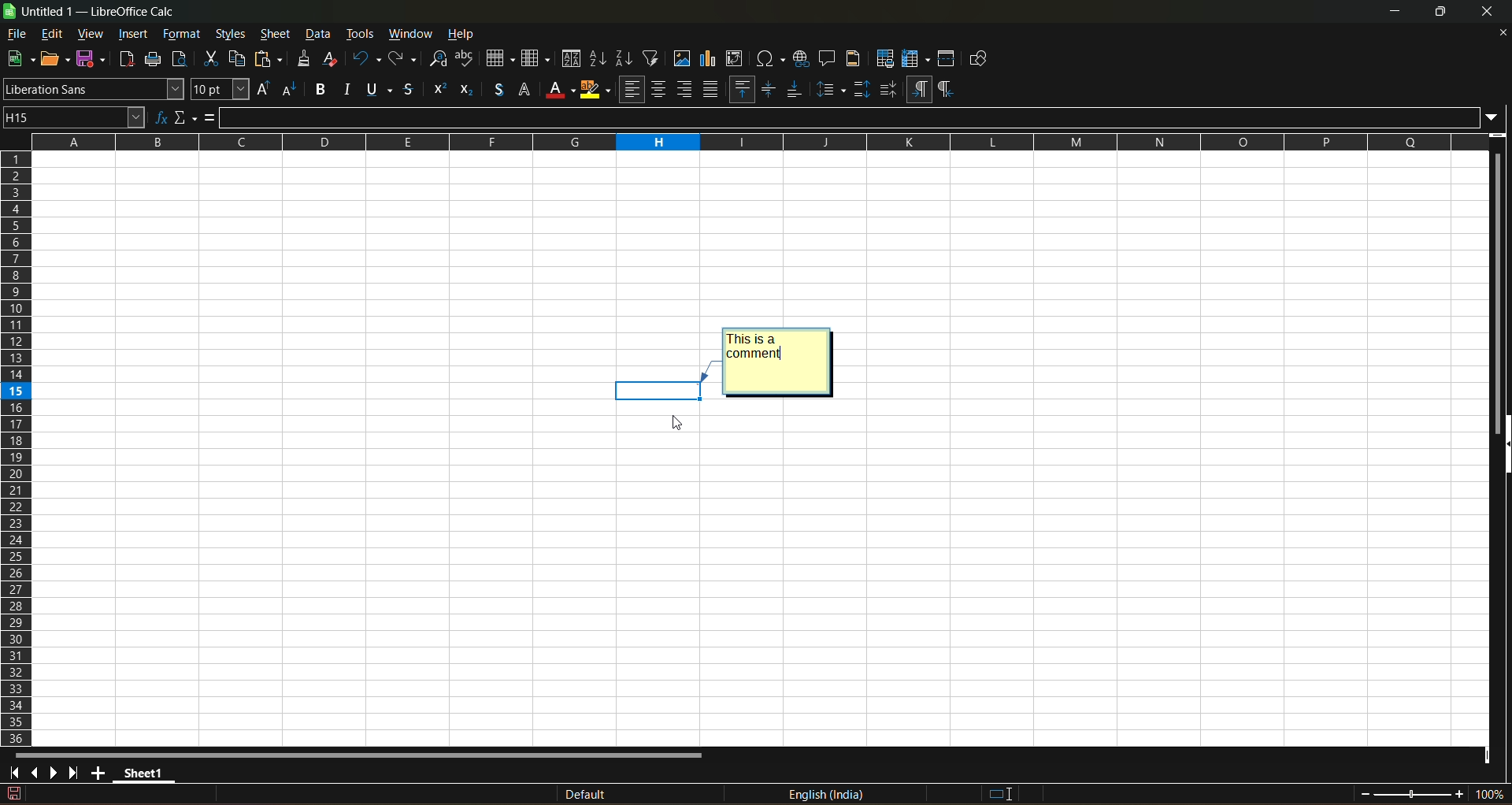 This screenshot has width=1512, height=805. Describe the element at coordinates (841, 91) in the screenshot. I see `add decimal place` at that location.